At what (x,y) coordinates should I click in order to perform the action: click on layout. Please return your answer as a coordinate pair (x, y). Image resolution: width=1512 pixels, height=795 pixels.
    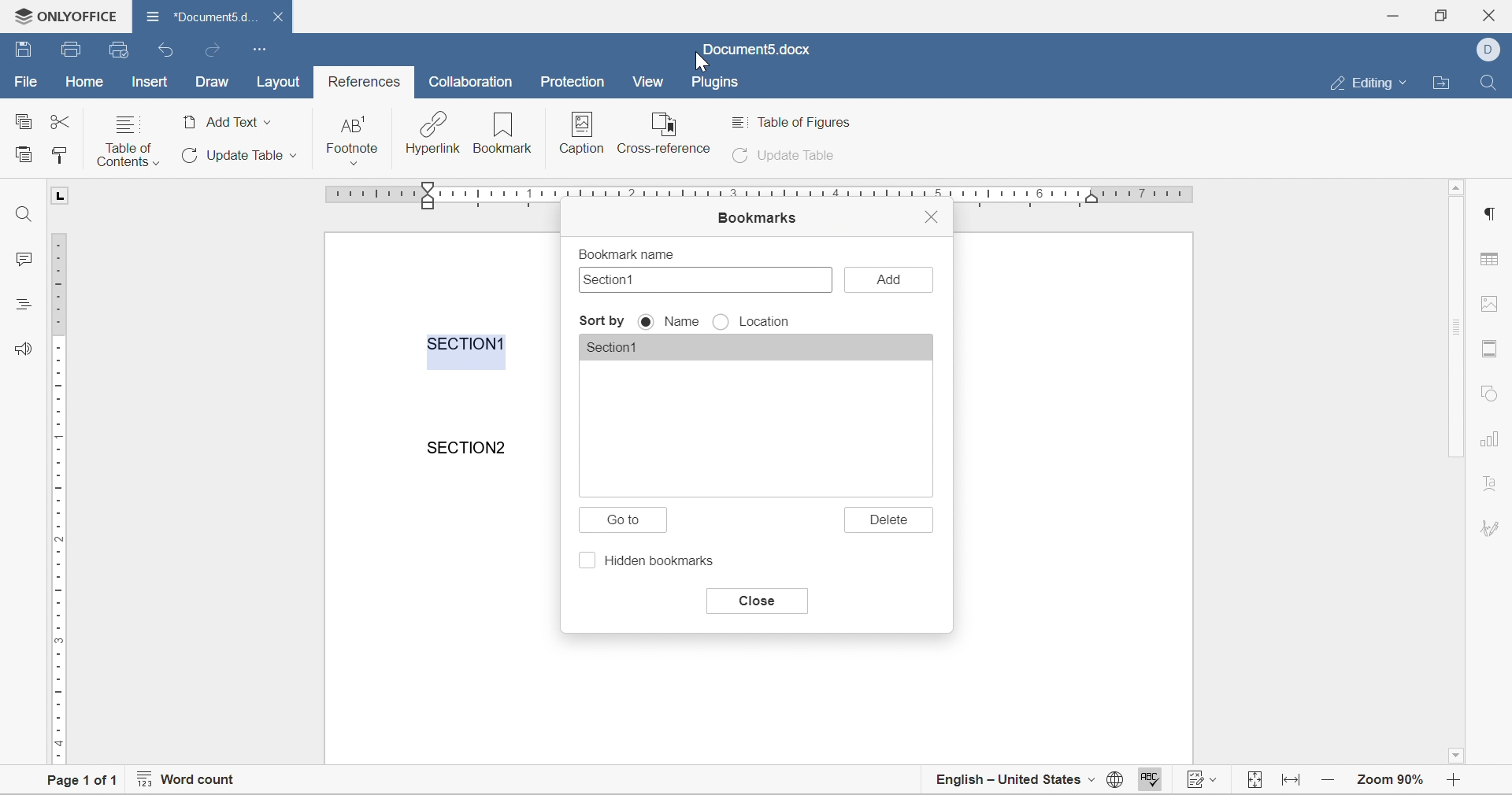
    Looking at the image, I should click on (283, 82).